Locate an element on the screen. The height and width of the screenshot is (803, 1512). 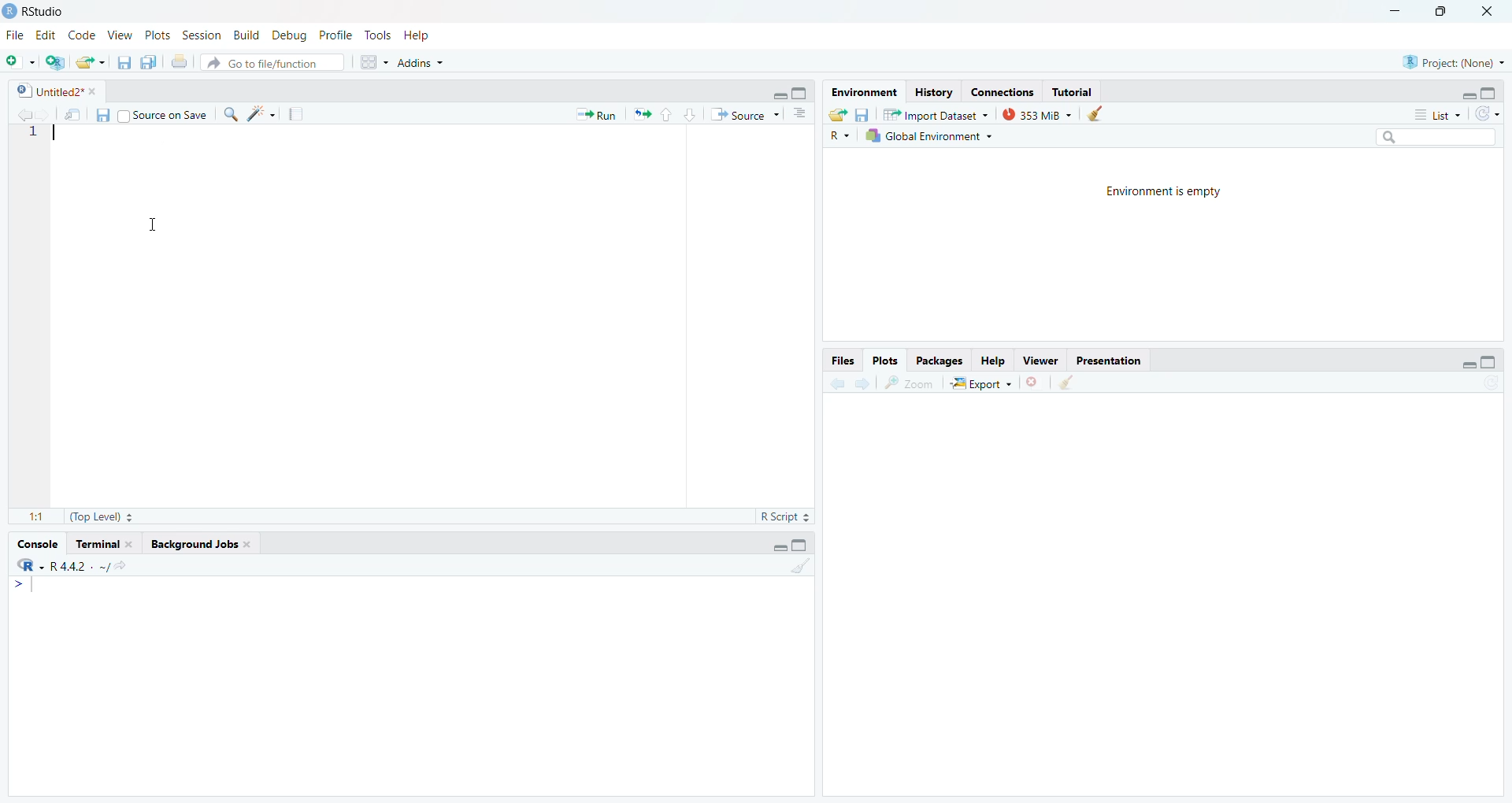
re run the previous code is located at coordinates (641, 115).